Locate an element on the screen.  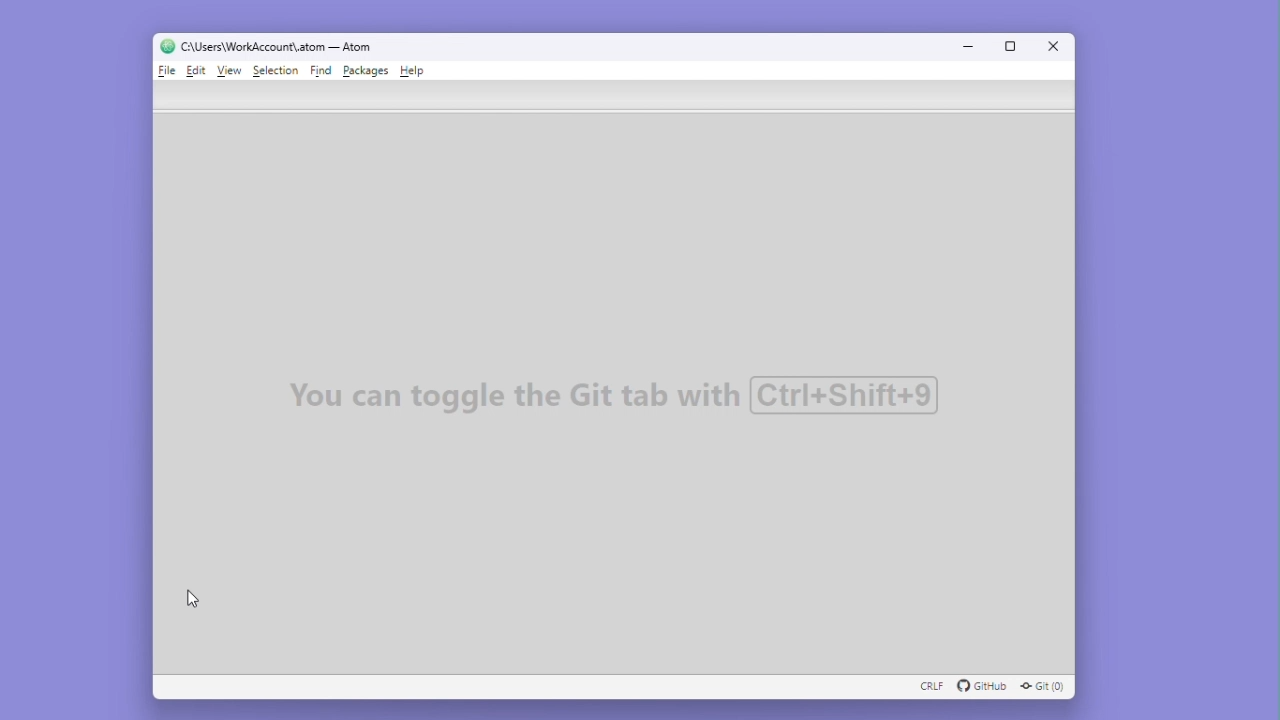
Minimize is located at coordinates (968, 48).